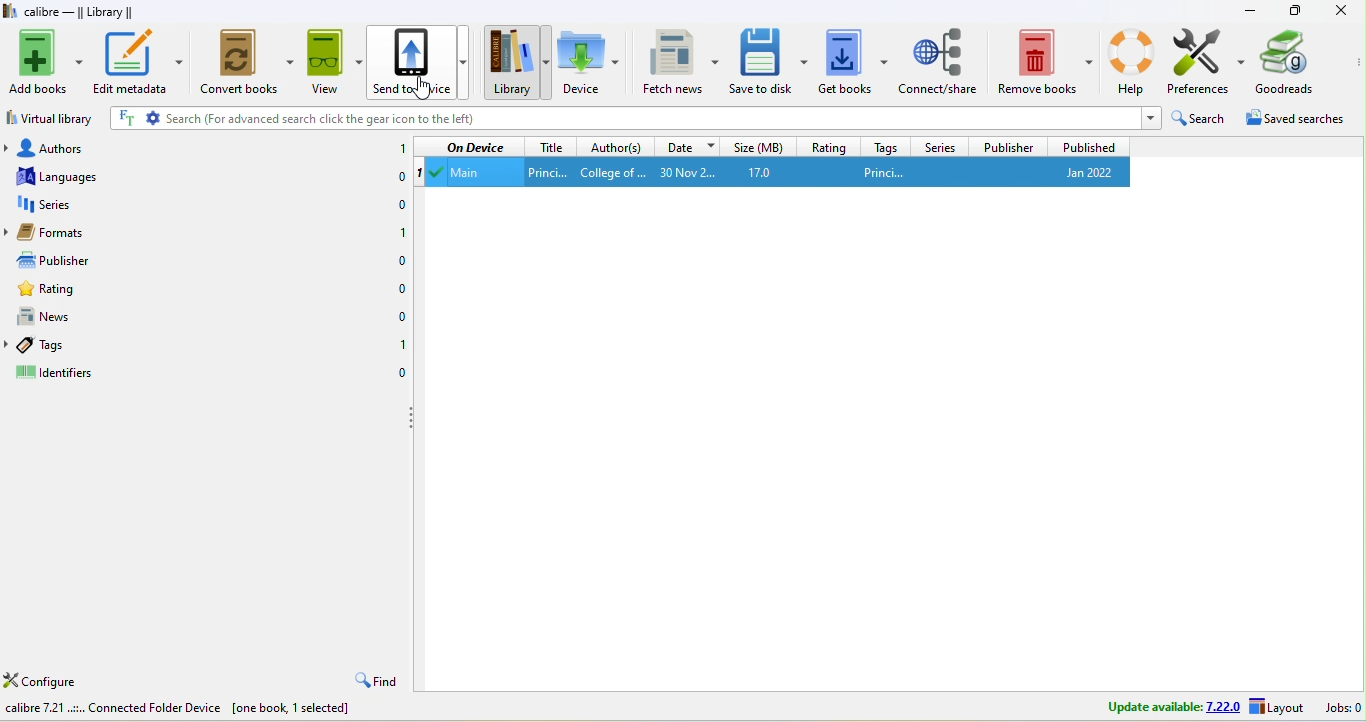  Describe the element at coordinates (680, 65) in the screenshot. I see `fetch news` at that location.